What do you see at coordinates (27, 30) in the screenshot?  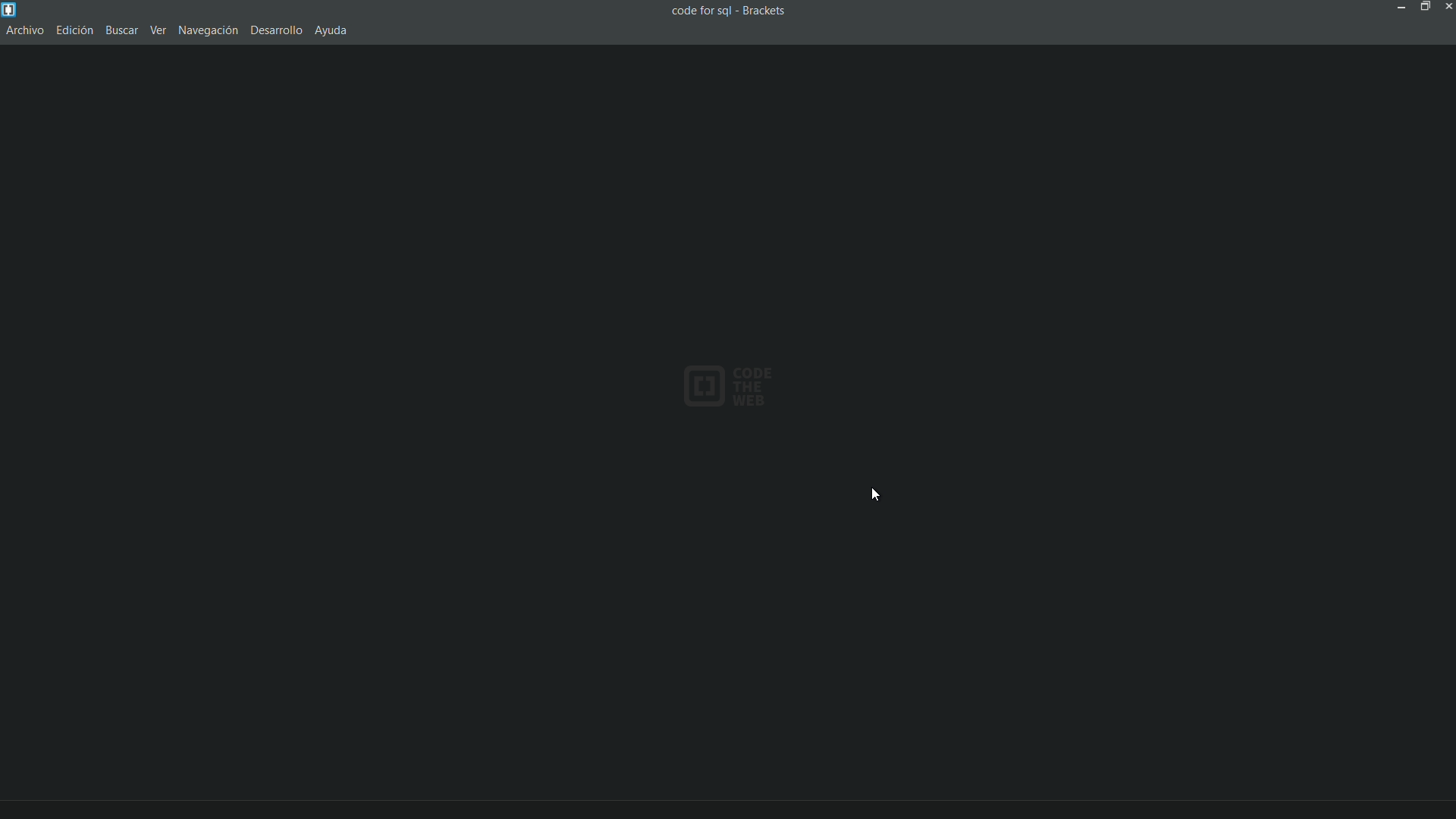 I see `Archivo` at bounding box center [27, 30].